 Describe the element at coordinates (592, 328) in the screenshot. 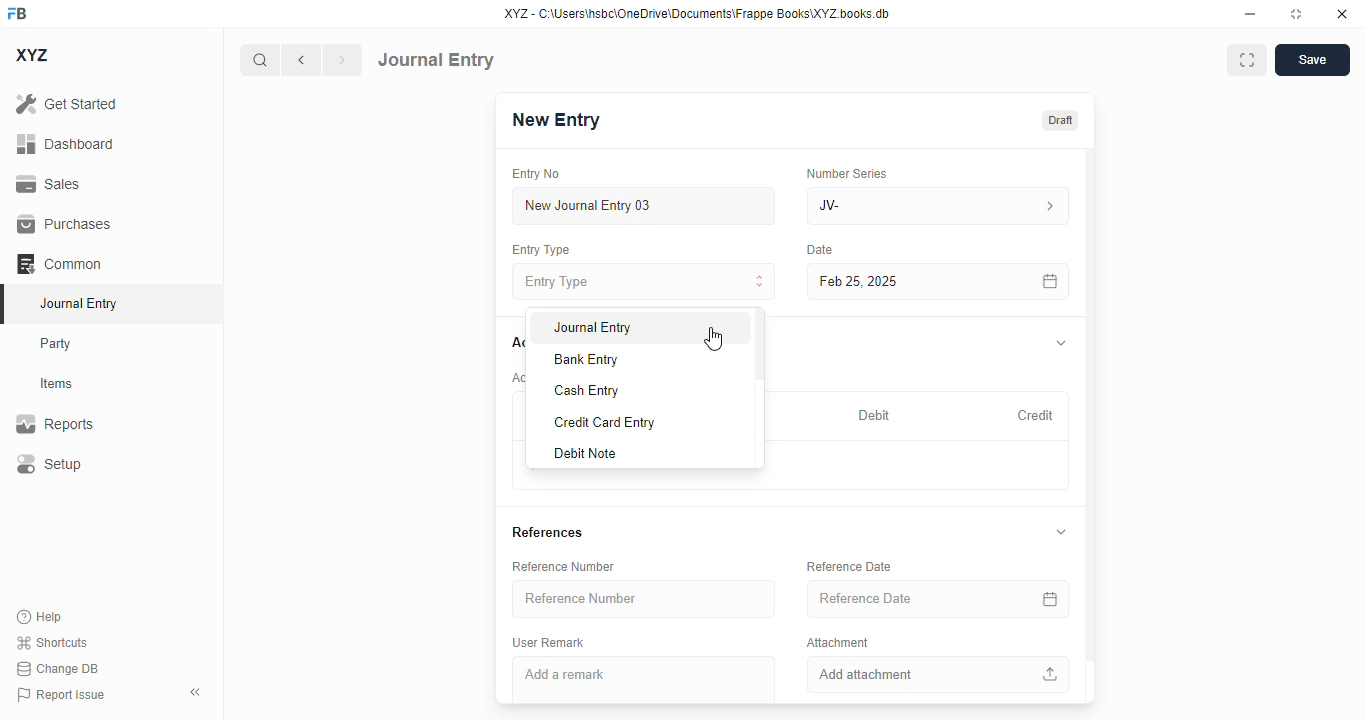

I see `journal entry` at that location.